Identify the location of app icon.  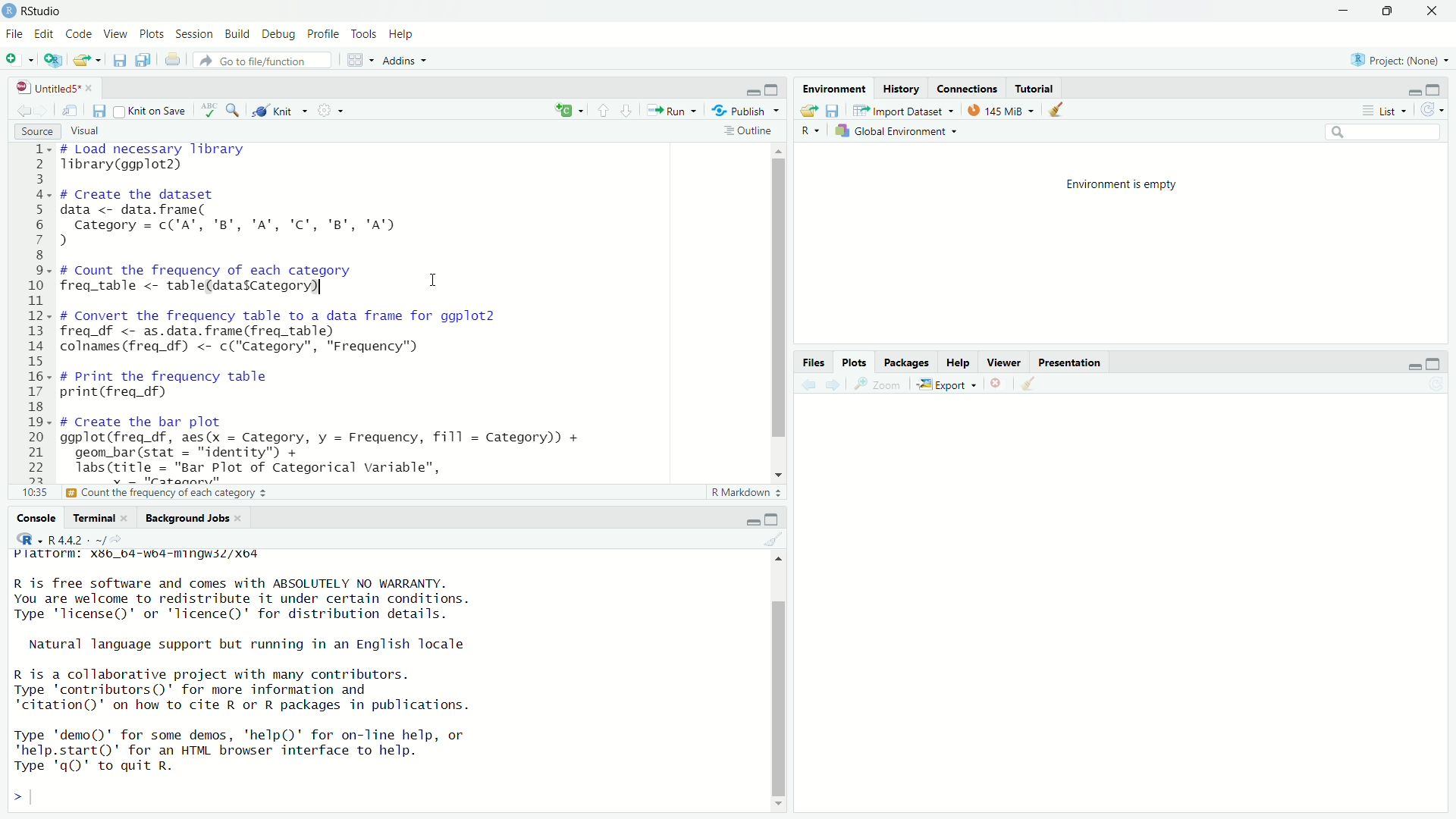
(9, 11).